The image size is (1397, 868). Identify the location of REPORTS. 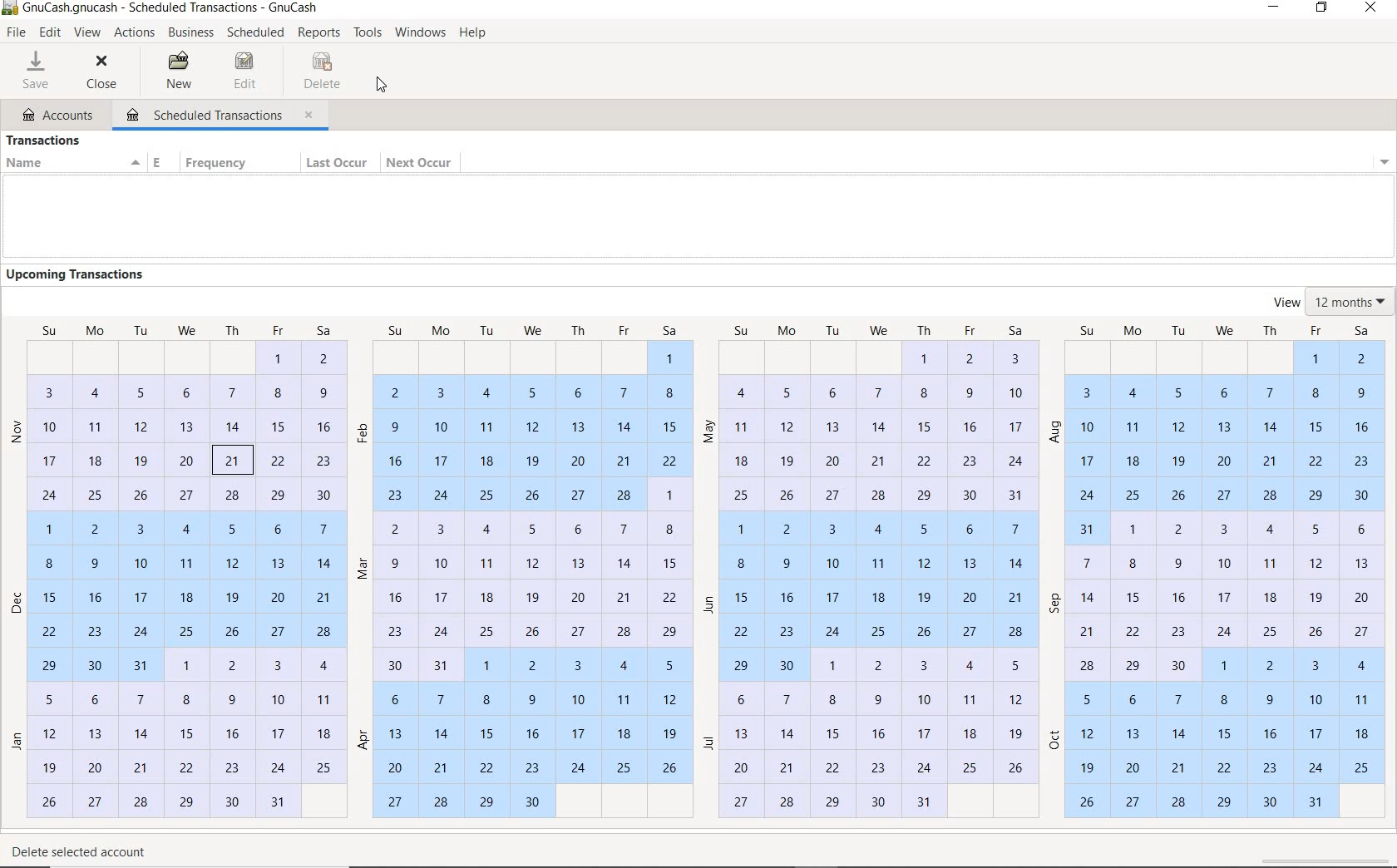
(320, 32).